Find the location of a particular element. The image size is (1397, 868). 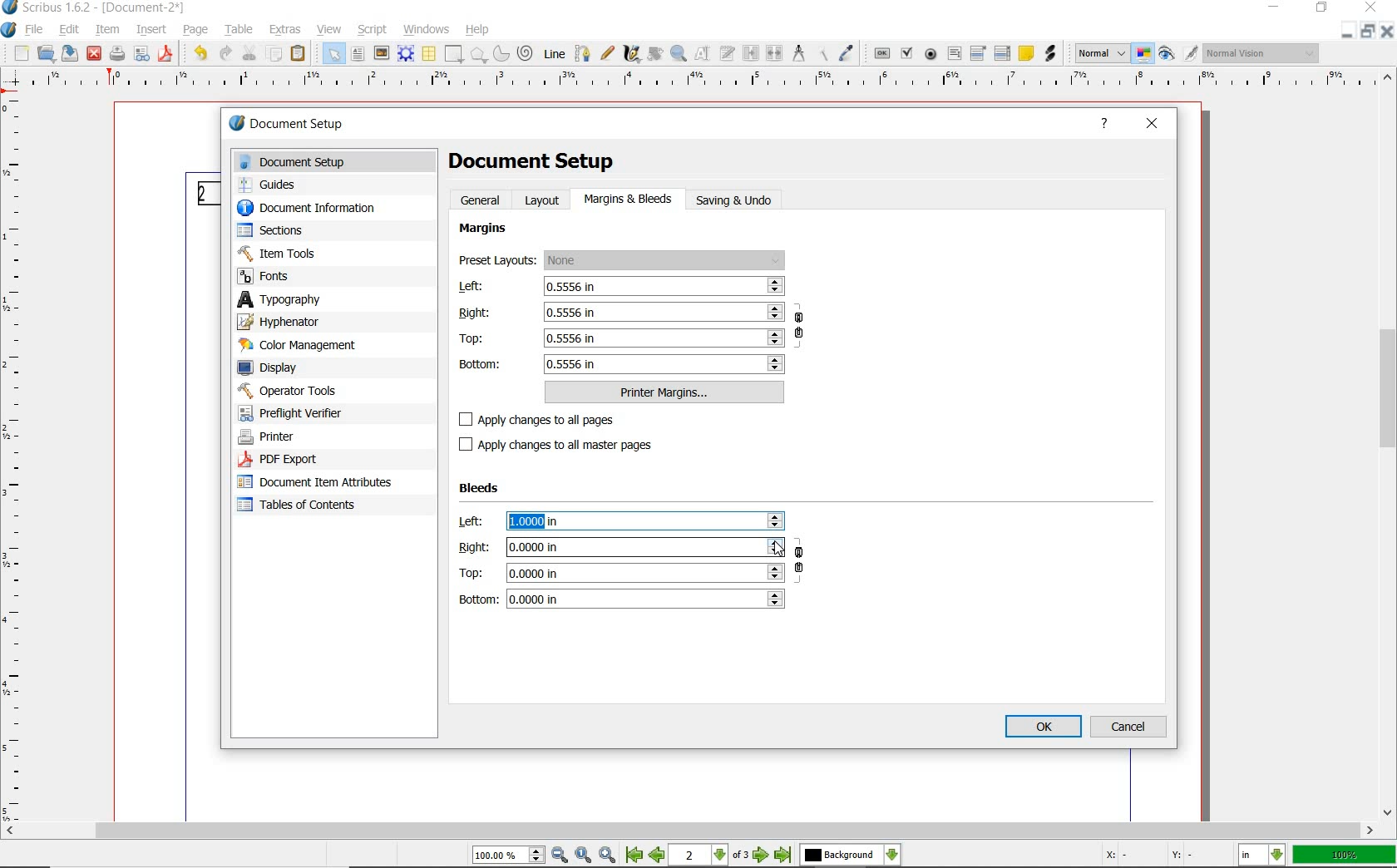

Zoom to 100% is located at coordinates (584, 856).